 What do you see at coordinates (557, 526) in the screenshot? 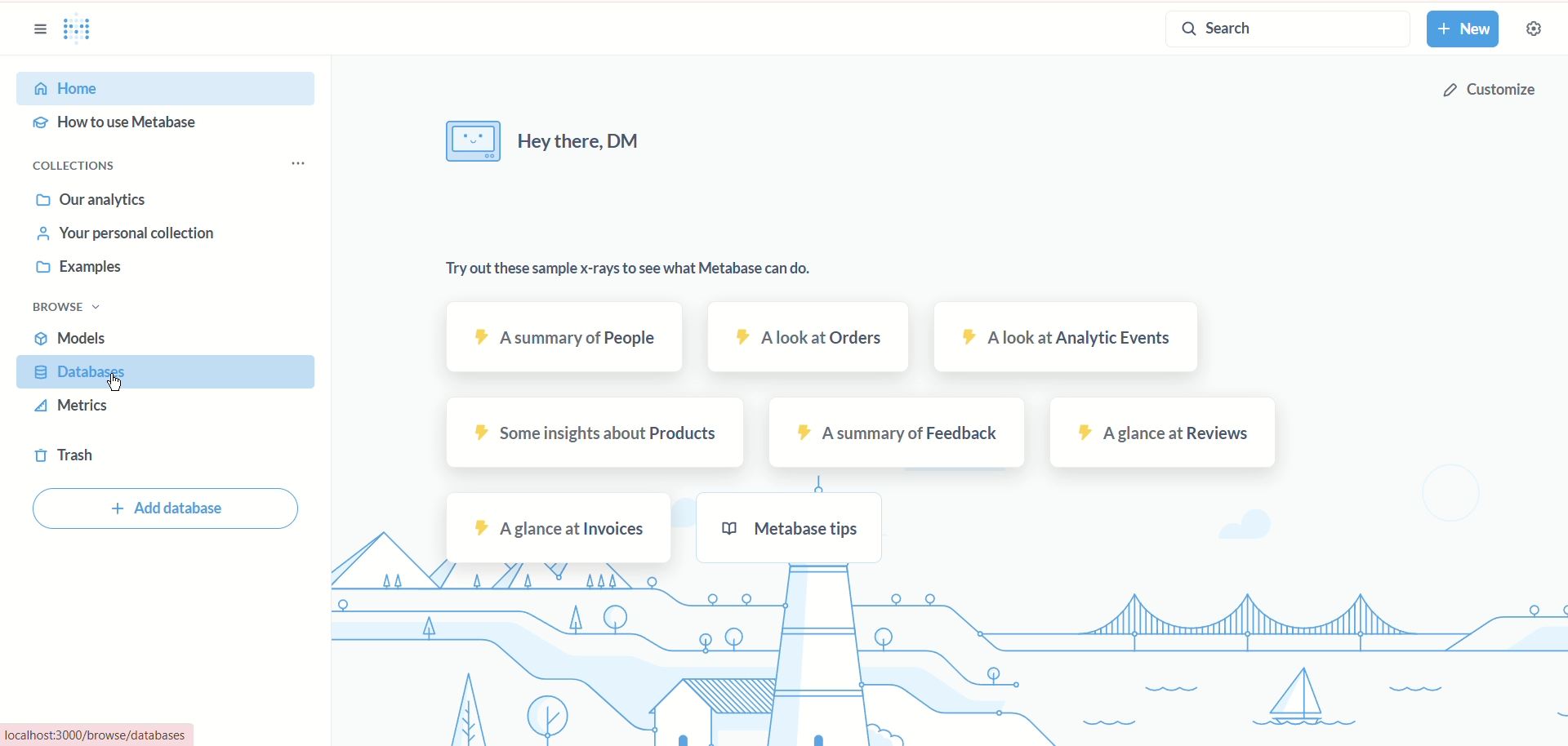
I see `A glance at Invoices` at bounding box center [557, 526].